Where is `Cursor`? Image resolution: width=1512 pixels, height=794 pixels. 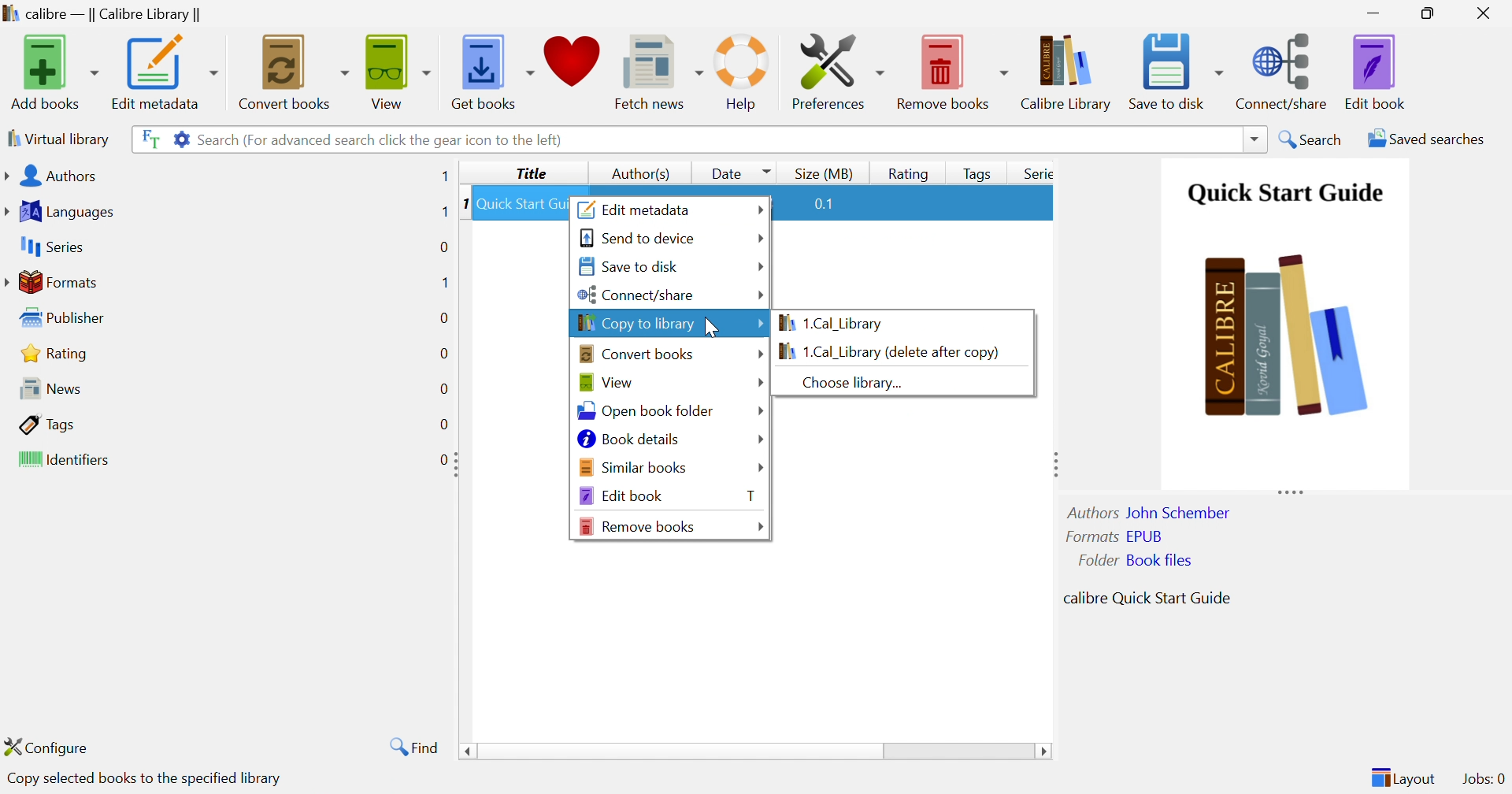 Cursor is located at coordinates (716, 327).